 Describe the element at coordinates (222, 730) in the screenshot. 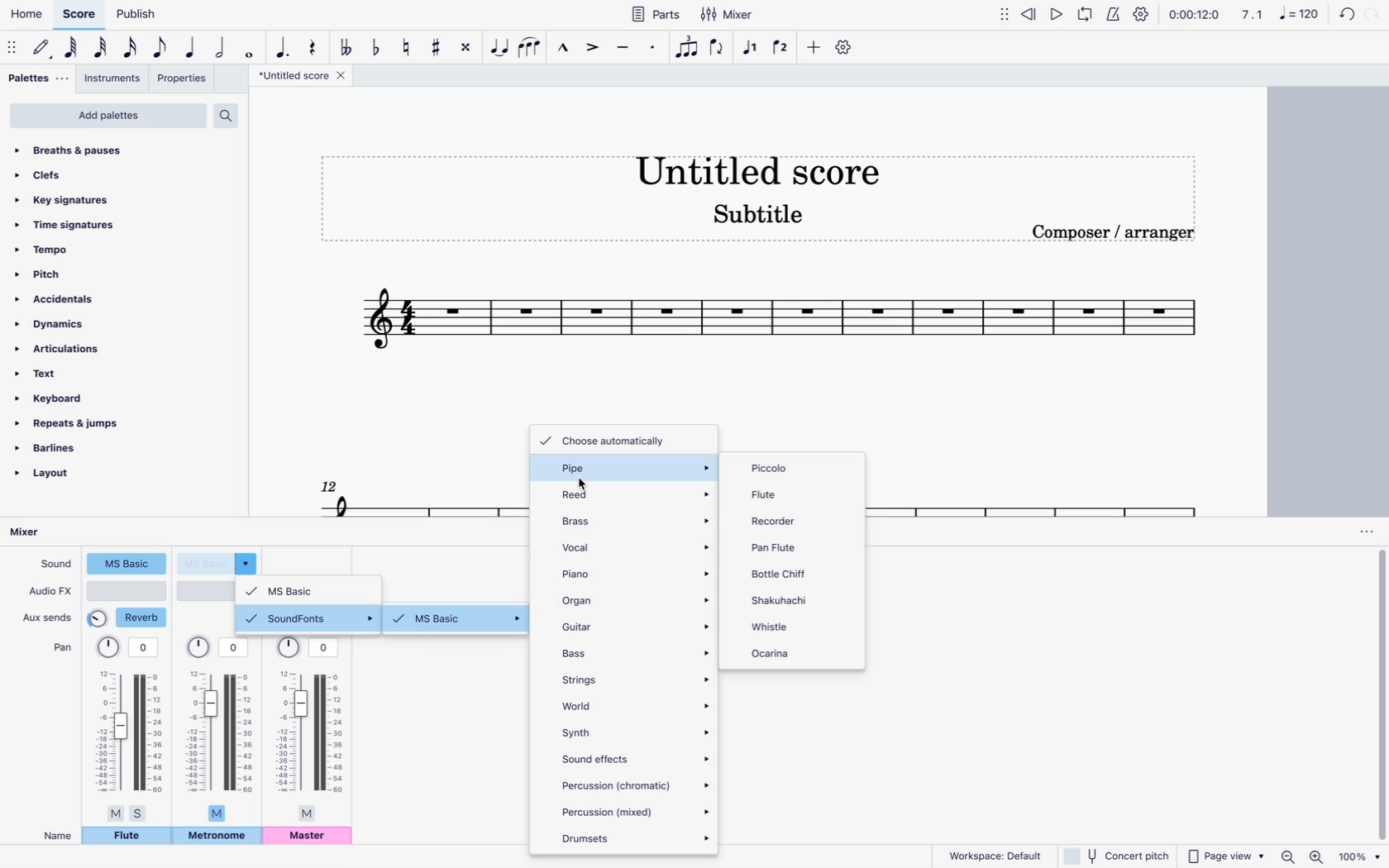

I see `pan` at that location.